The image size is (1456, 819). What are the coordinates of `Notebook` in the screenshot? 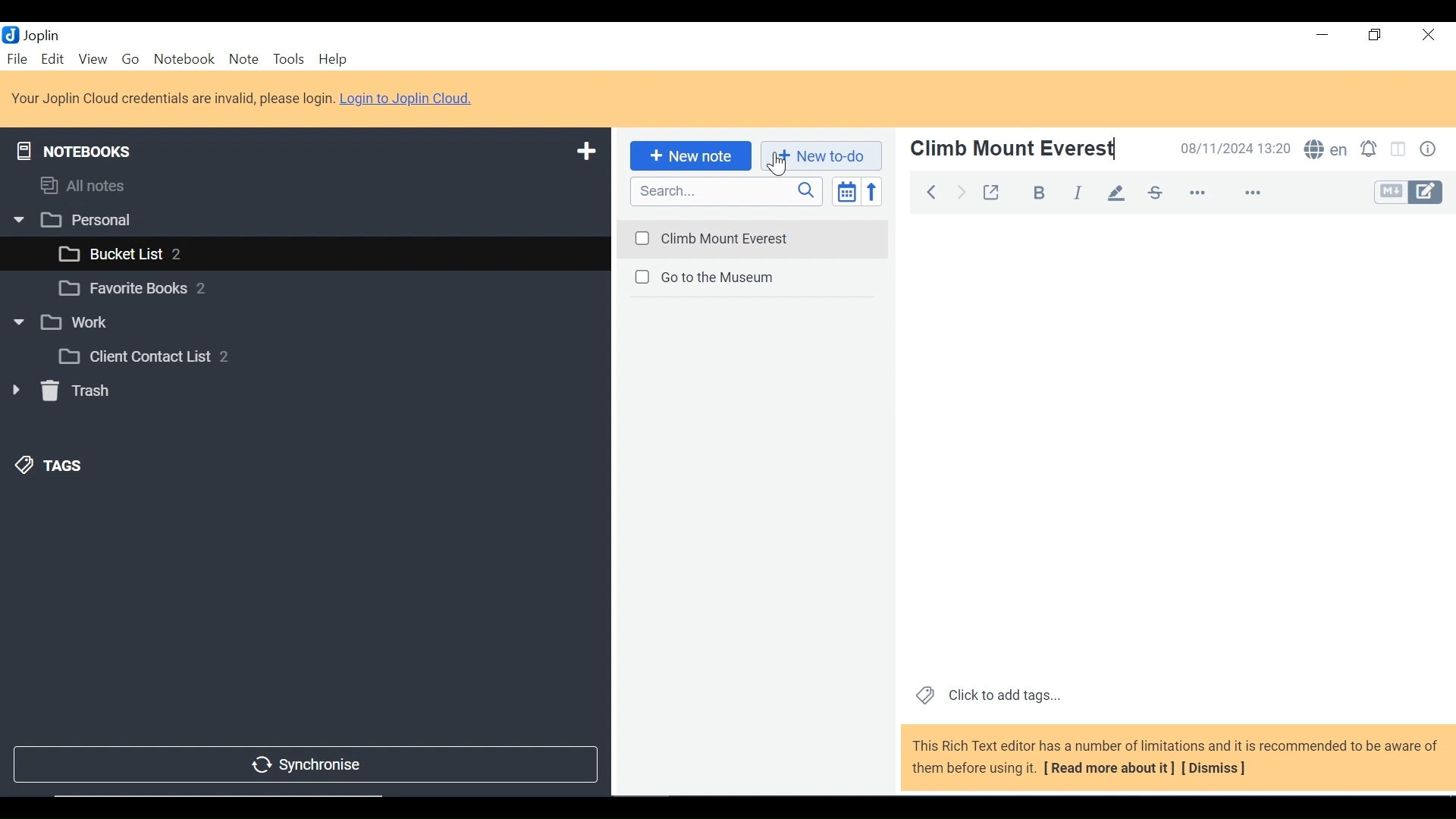 It's located at (328, 356).